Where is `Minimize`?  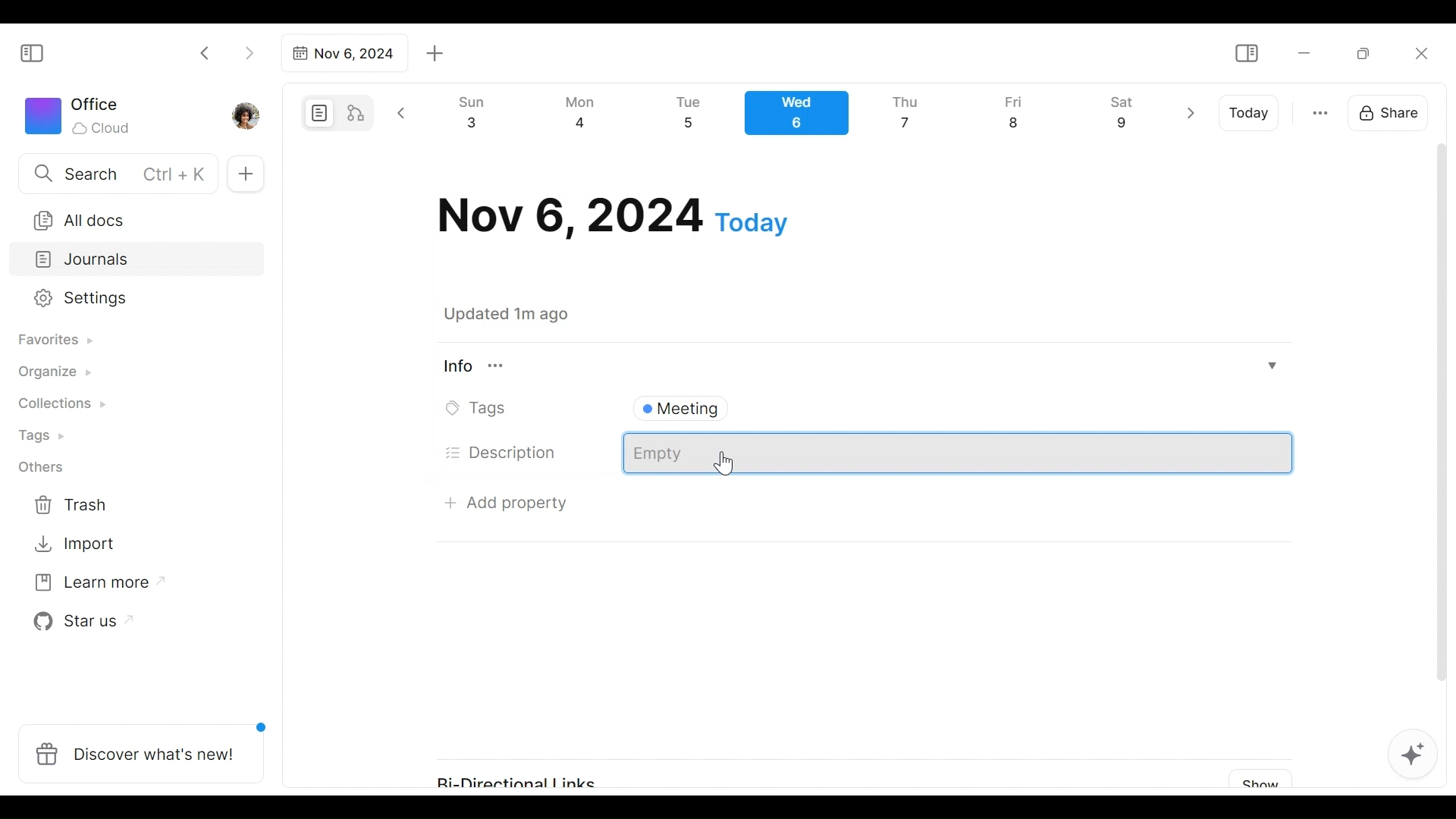 Minimize is located at coordinates (1304, 52).